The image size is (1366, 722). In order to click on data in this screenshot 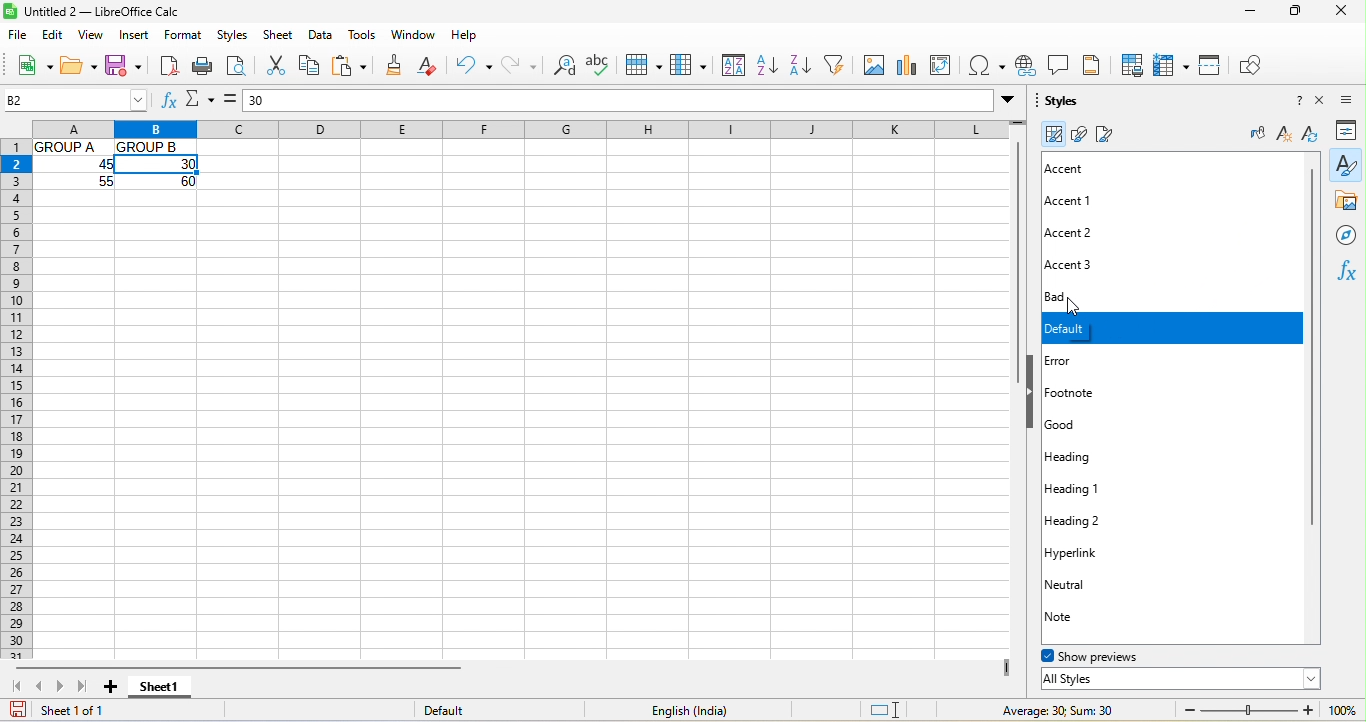, I will do `click(325, 36)`.